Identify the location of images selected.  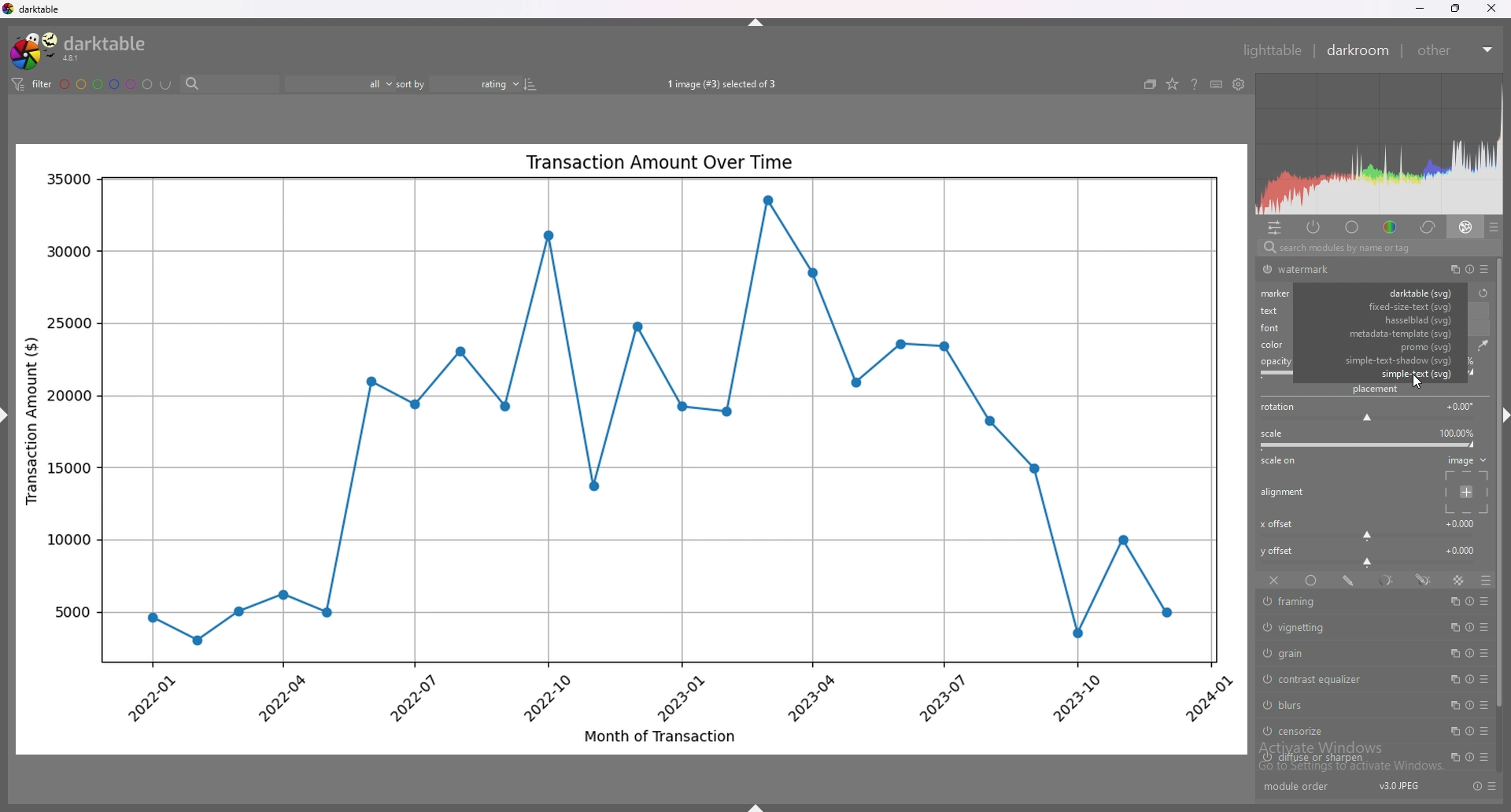
(719, 84).